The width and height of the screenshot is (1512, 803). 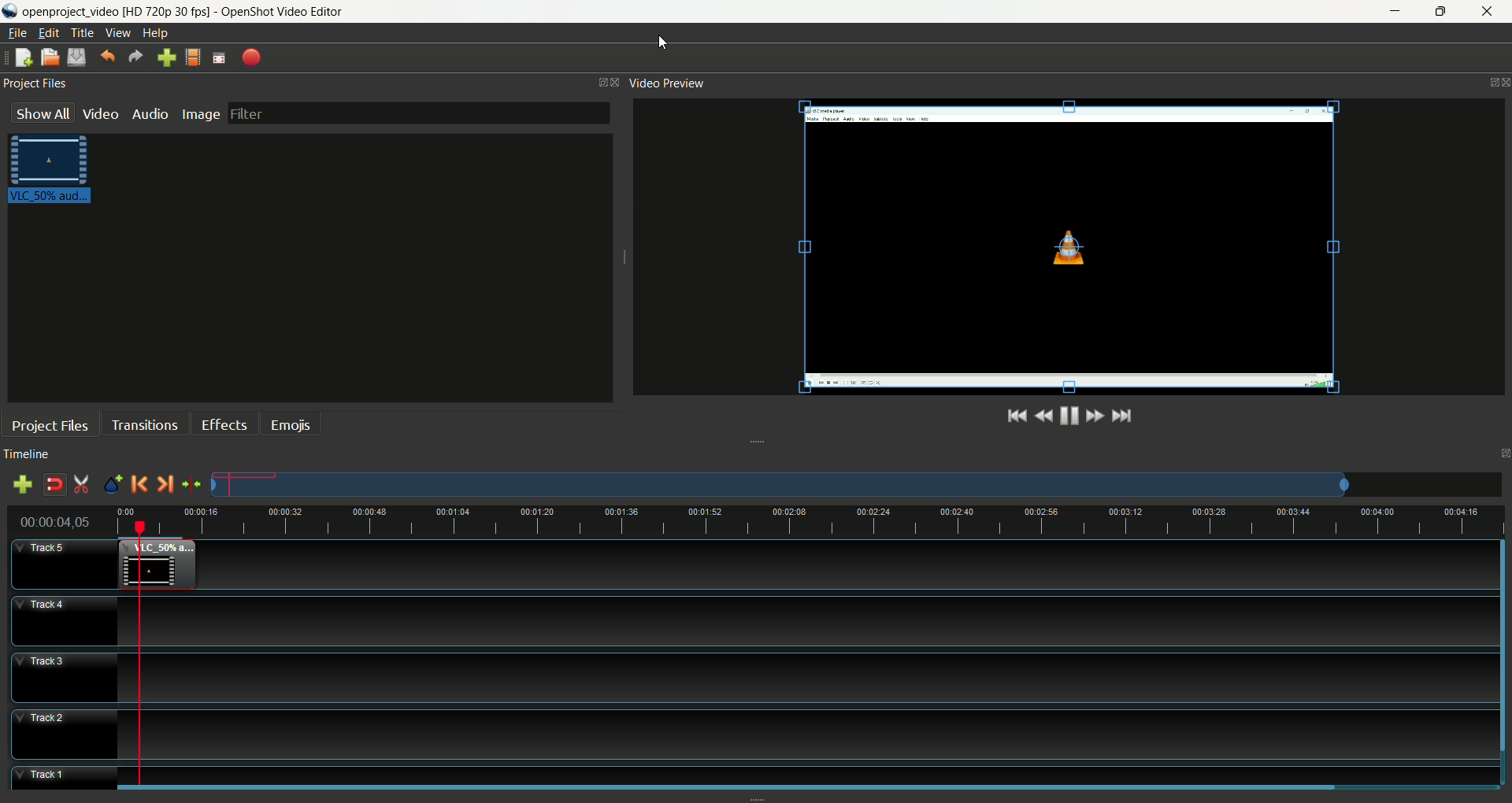 I want to click on close, so click(x=1491, y=13).